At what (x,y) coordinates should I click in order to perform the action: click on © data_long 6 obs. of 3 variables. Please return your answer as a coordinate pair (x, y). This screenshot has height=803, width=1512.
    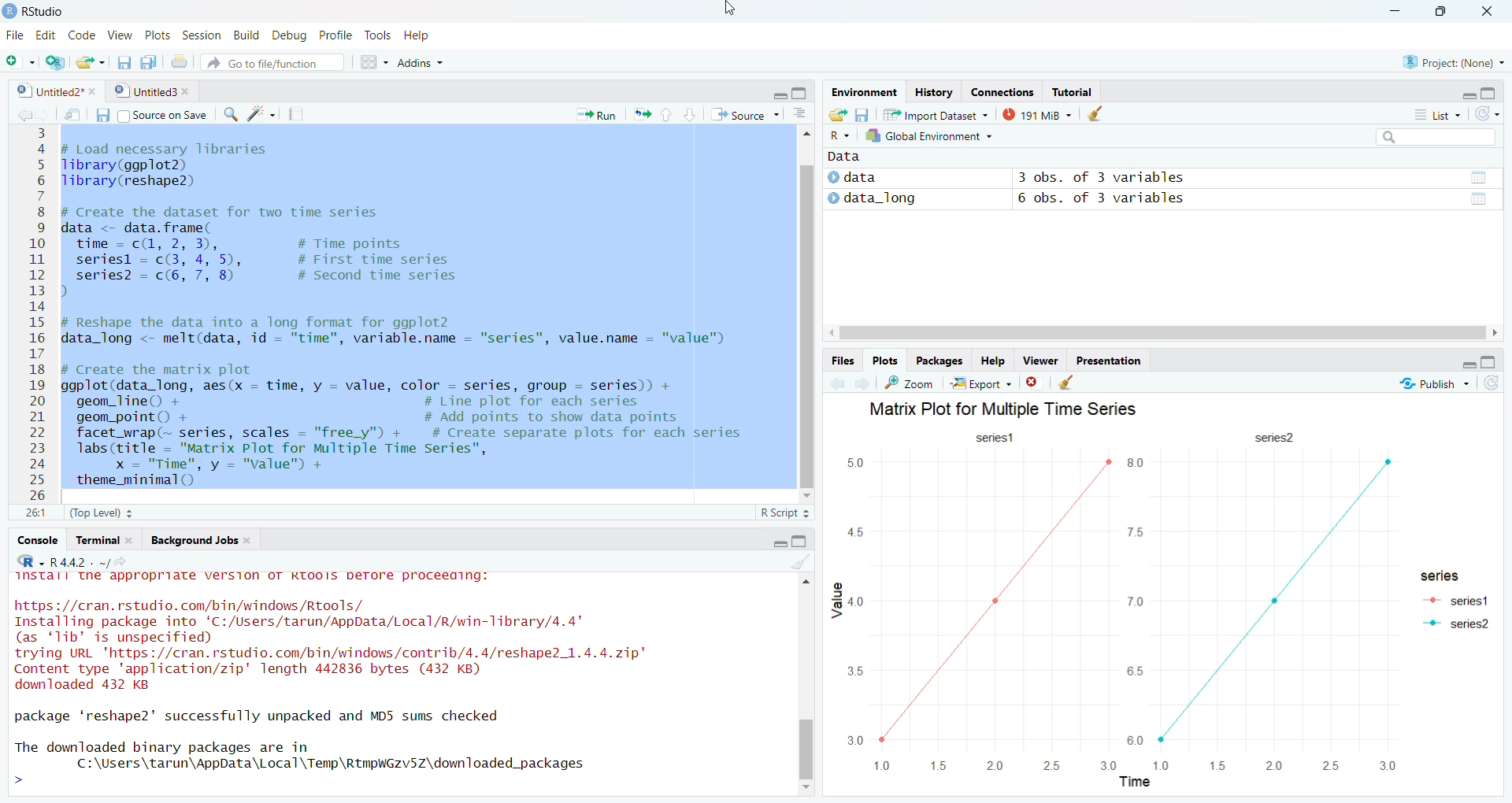
    Looking at the image, I should click on (1161, 200).